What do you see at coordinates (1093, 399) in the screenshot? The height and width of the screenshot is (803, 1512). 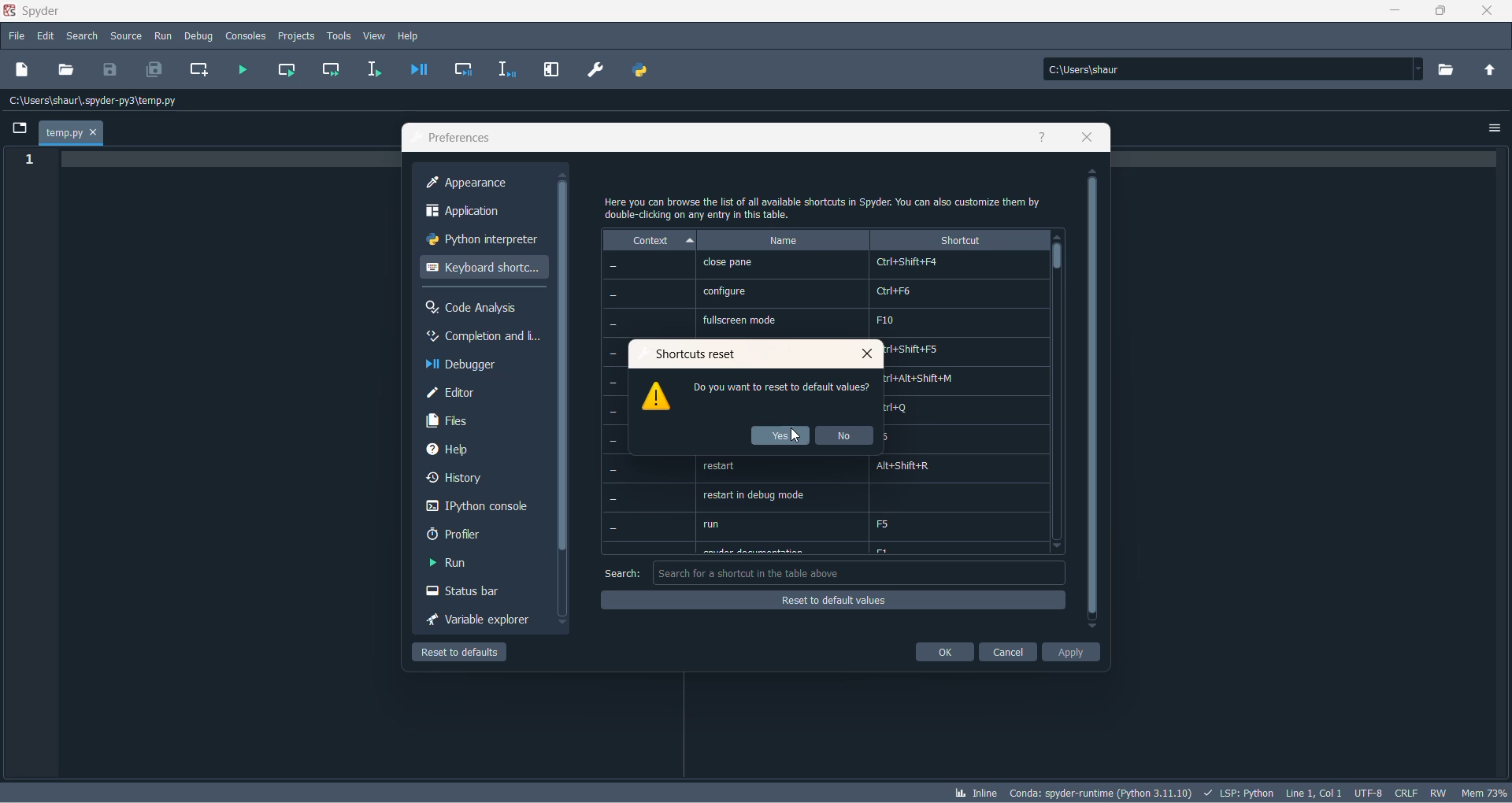 I see `scrollbar` at bounding box center [1093, 399].